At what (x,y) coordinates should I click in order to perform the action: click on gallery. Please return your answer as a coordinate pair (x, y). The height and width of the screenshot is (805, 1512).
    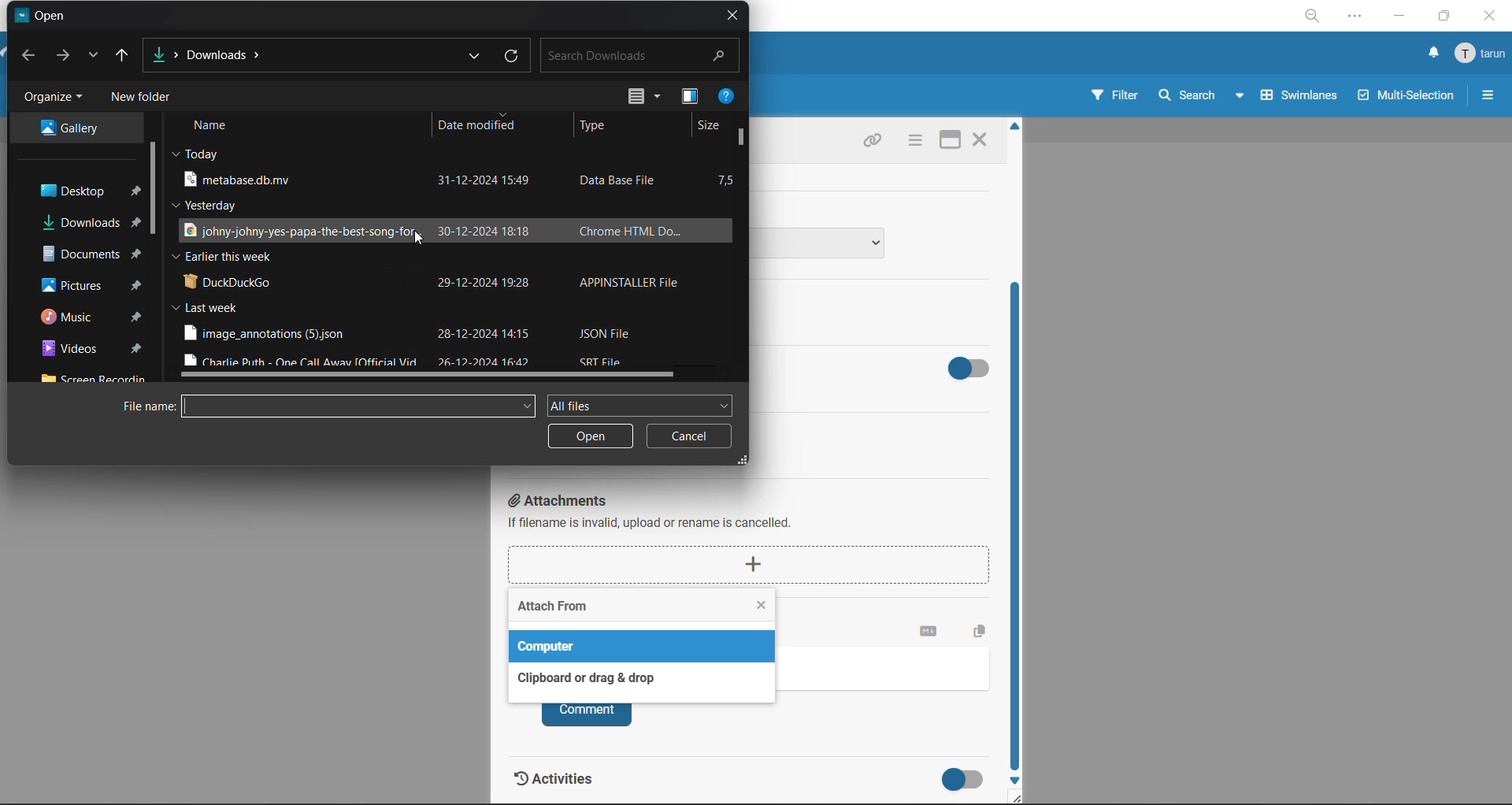
    Looking at the image, I should click on (84, 129).